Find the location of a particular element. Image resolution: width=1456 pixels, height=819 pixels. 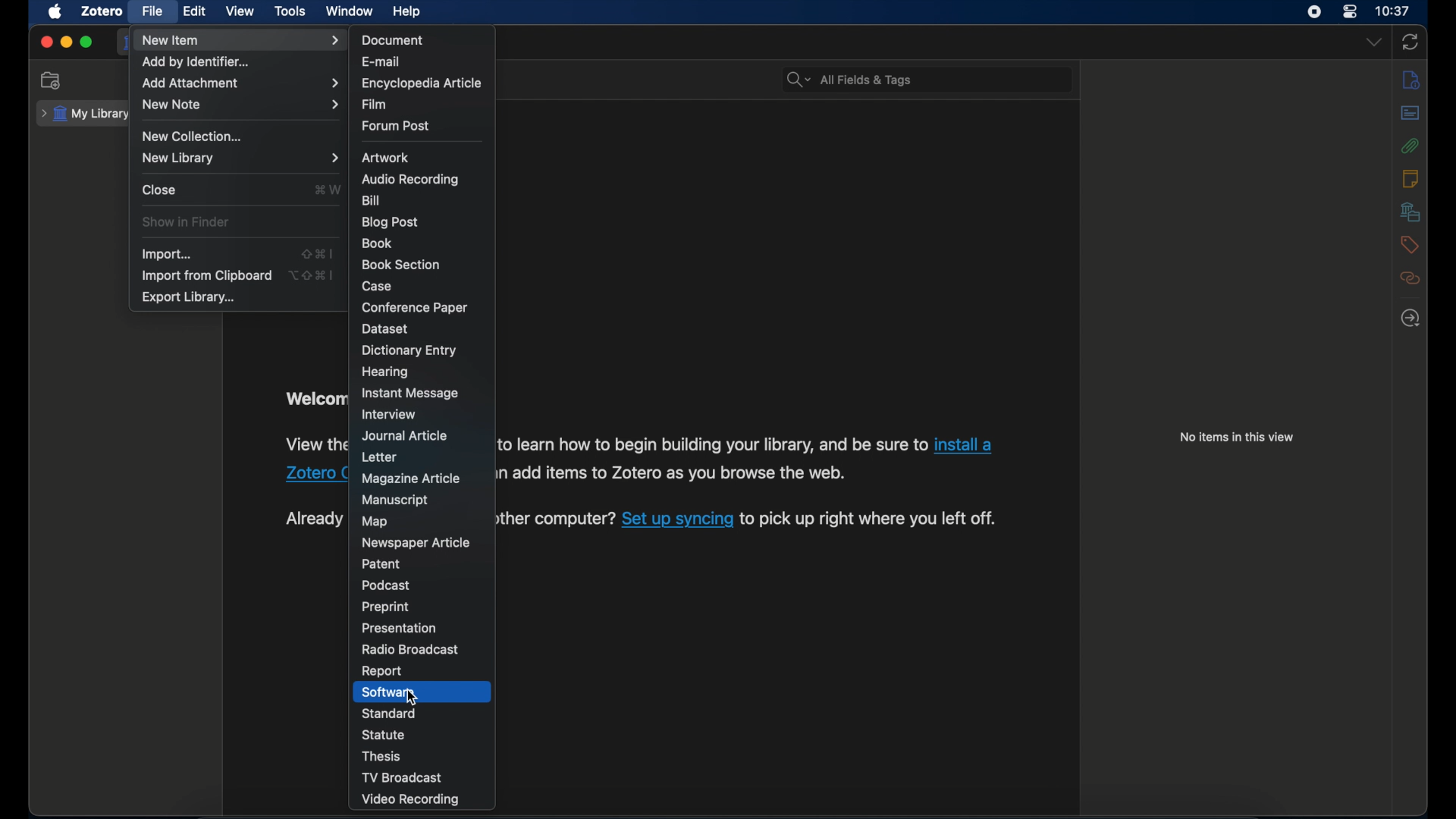

letter is located at coordinates (379, 456).